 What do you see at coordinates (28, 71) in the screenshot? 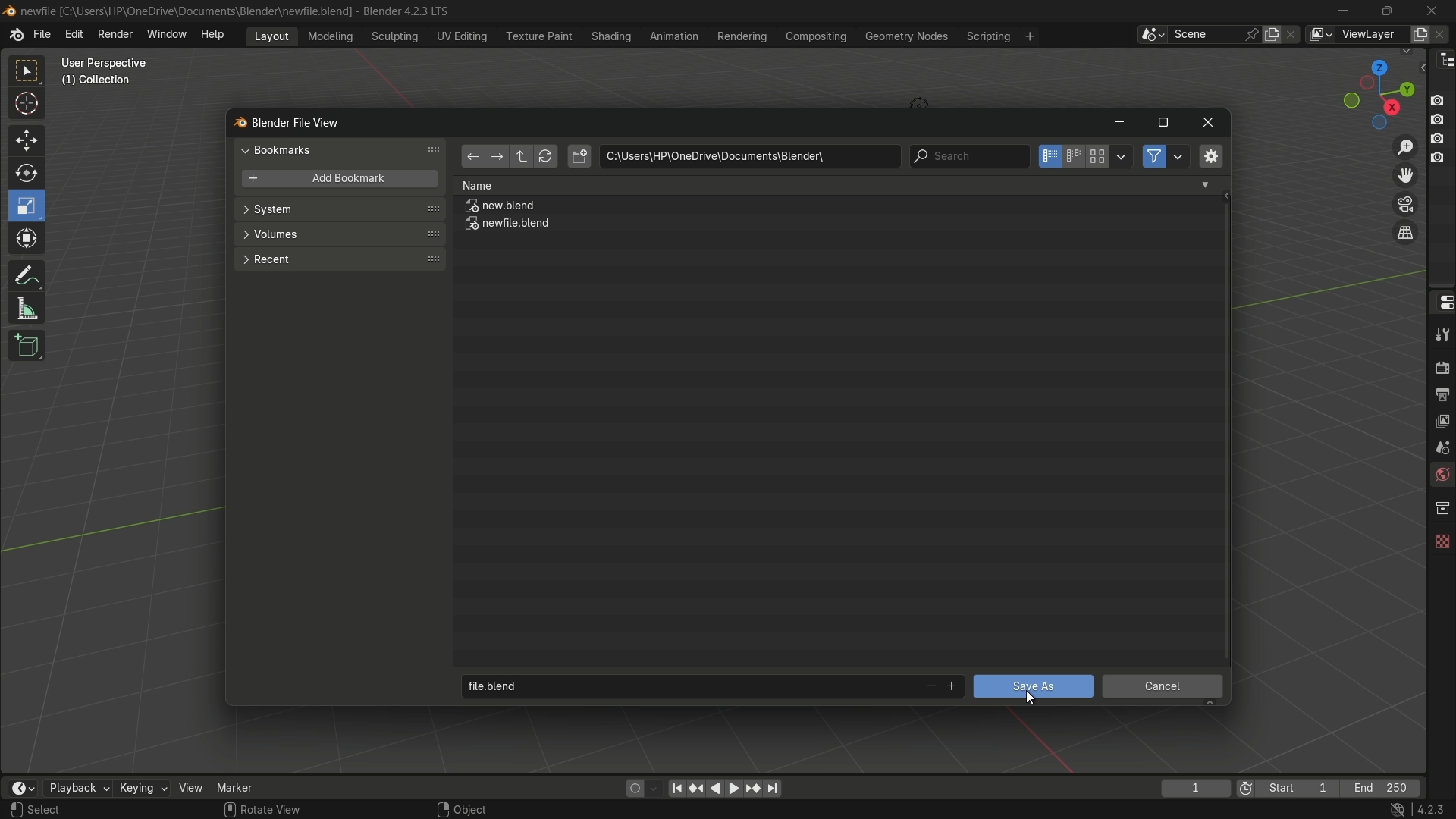
I see `select box` at bounding box center [28, 71].